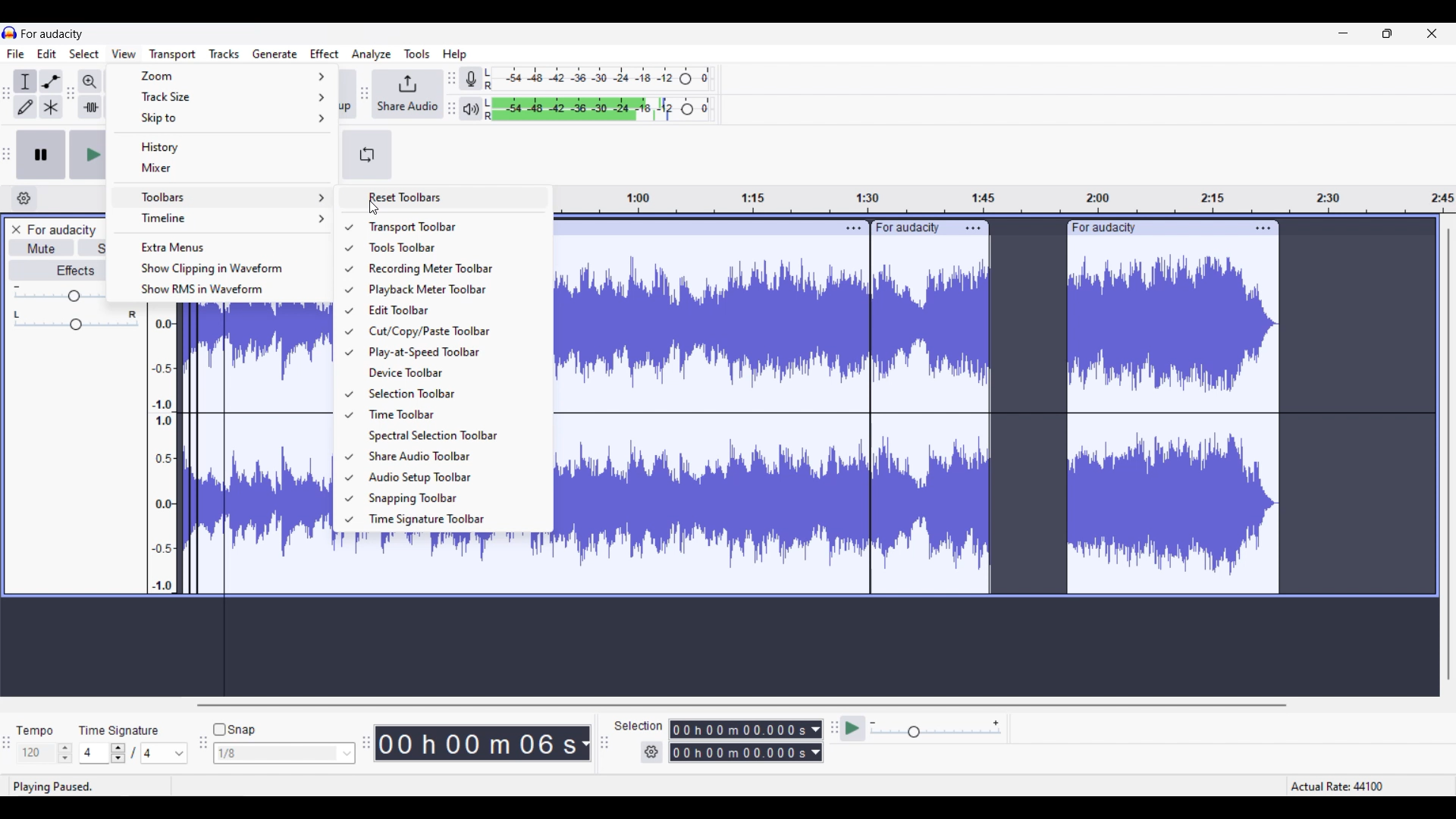  What do you see at coordinates (368, 155) in the screenshot?
I see `Enable looping` at bounding box center [368, 155].